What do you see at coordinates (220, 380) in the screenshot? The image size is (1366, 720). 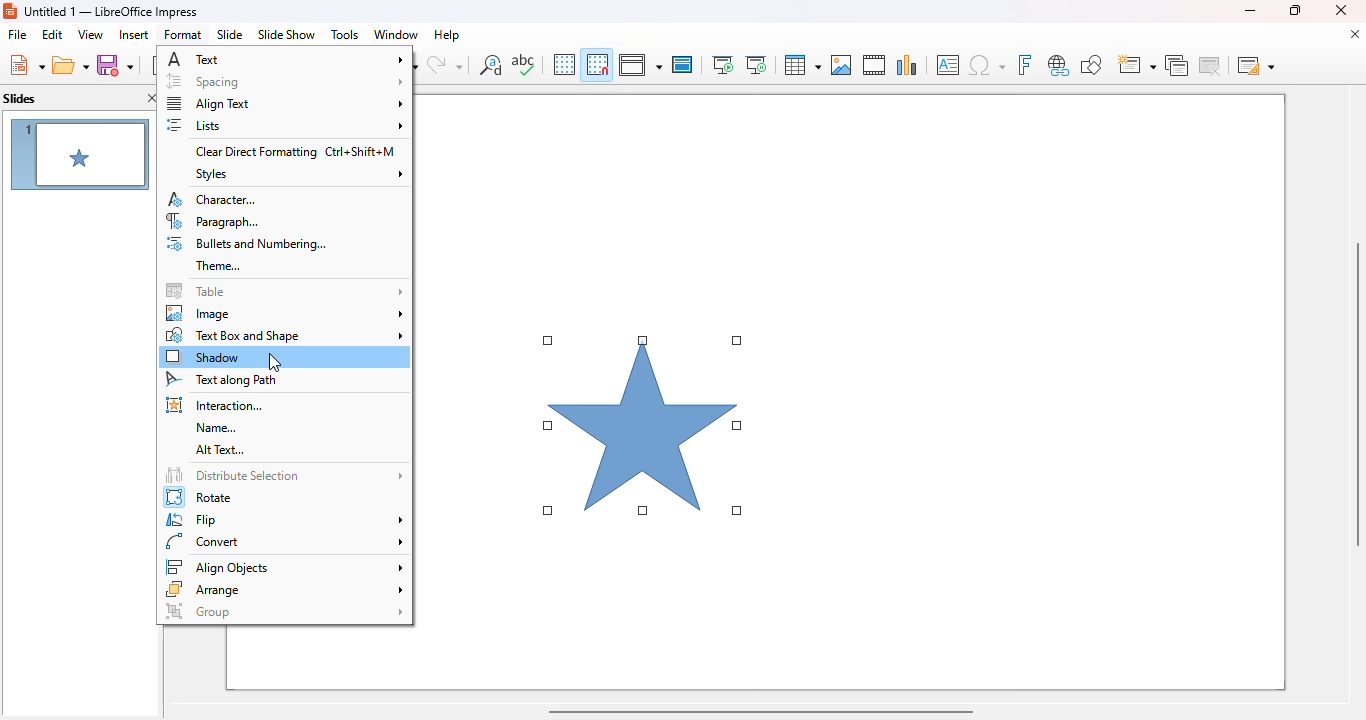 I see `text along path` at bounding box center [220, 380].